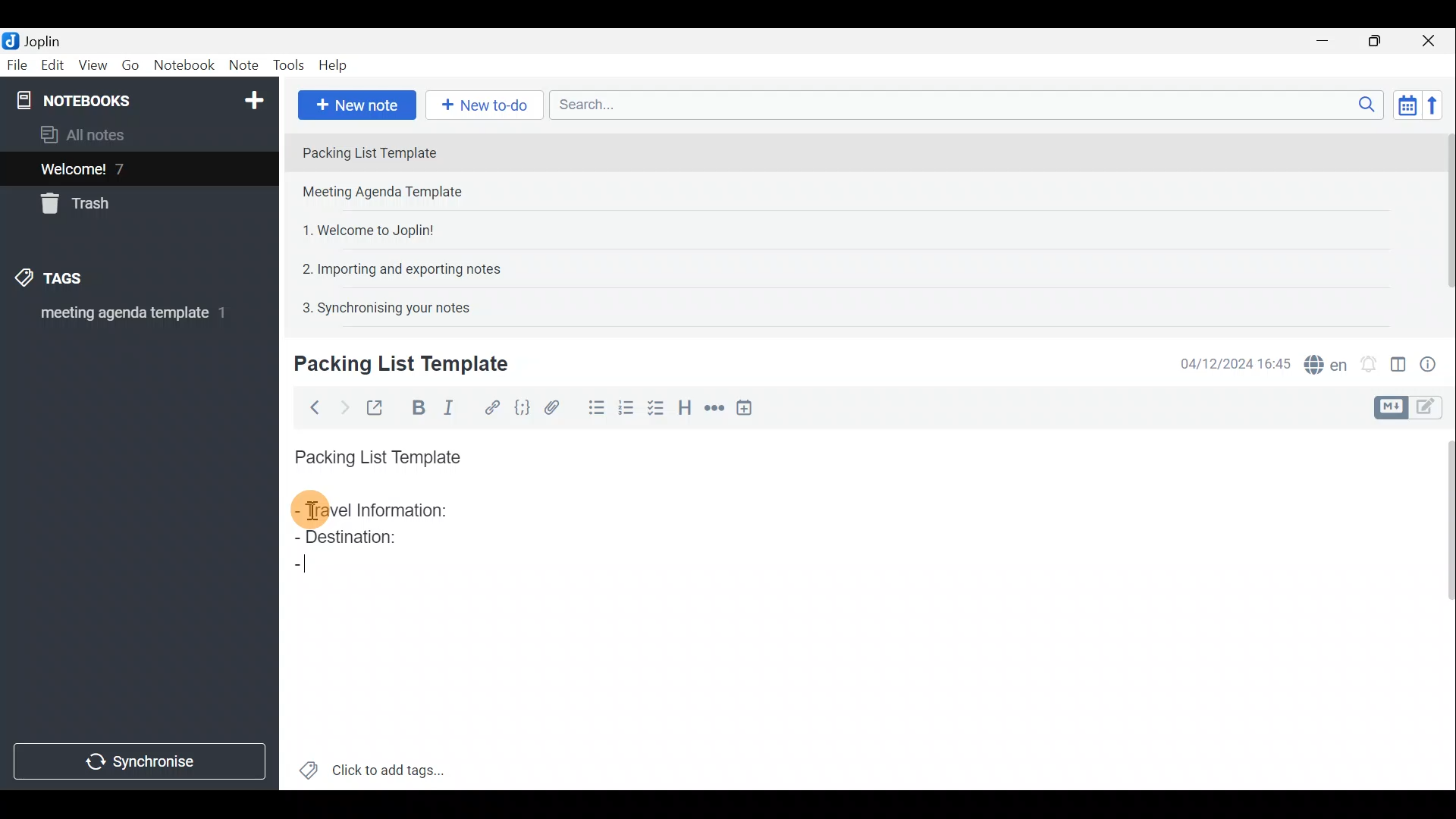 The width and height of the screenshot is (1456, 819). Describe the element at coordinates (131, 65) in the screenshot. I see `Go` at that location.